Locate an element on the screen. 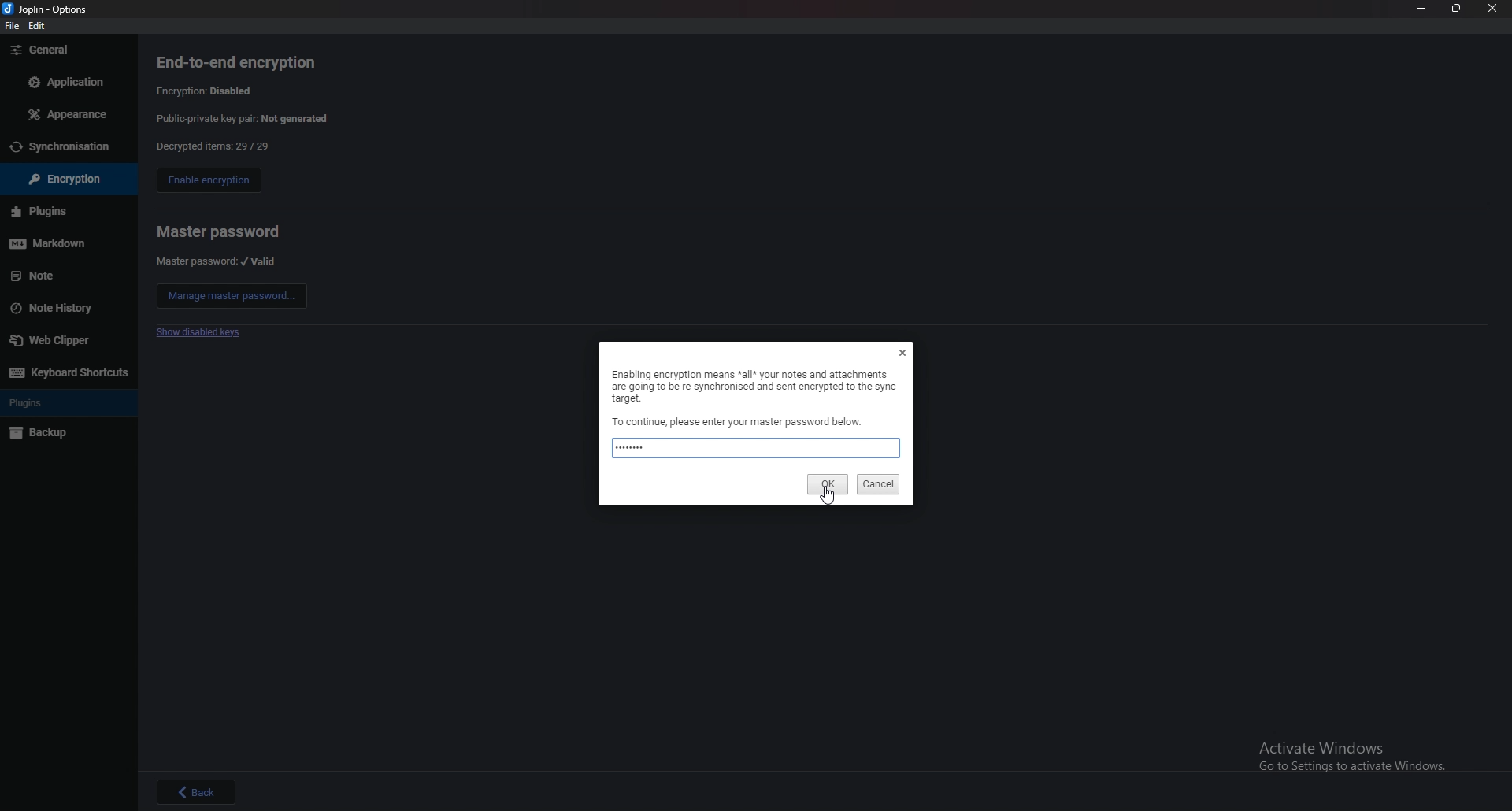 This screenshot has height=811, width=1512.  is located at coordinates (738, 421).